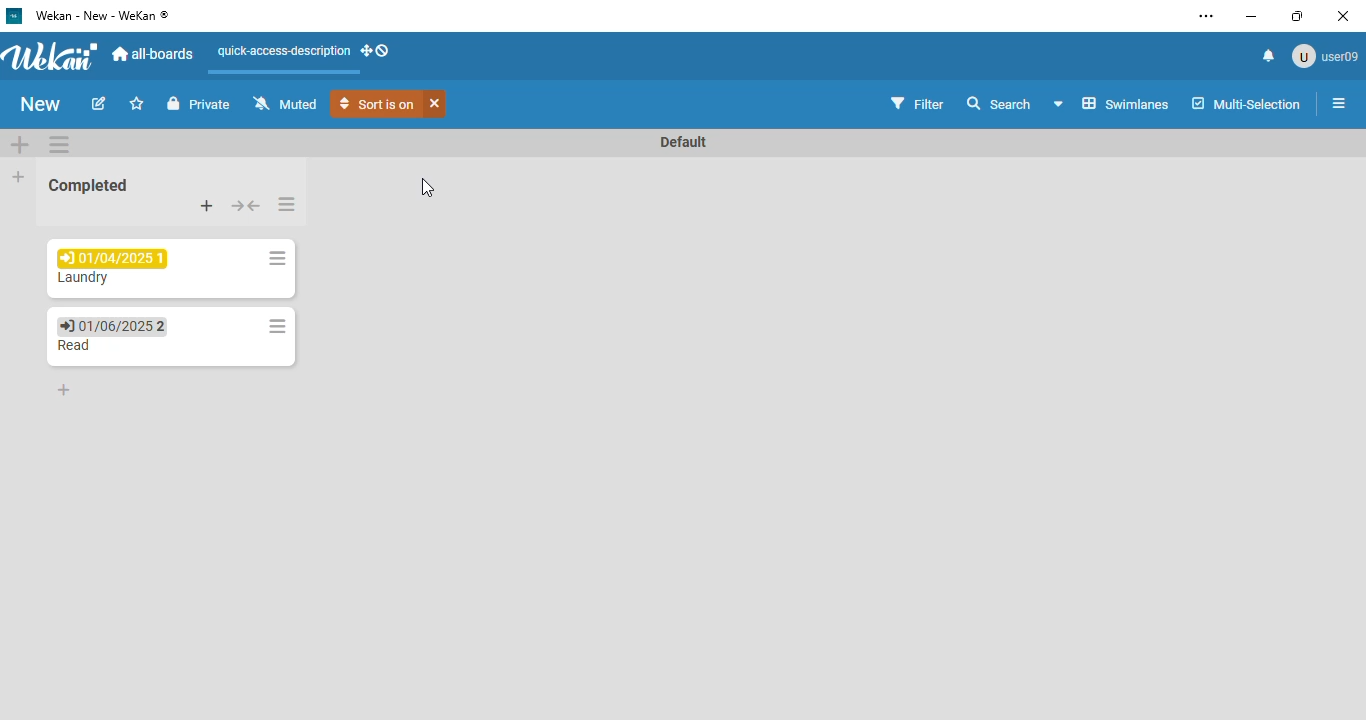  What do you see at coordinates (377, 51) in the screenshot?
I see `show-desktop-drag-handles` at bounding box center [377, 51].